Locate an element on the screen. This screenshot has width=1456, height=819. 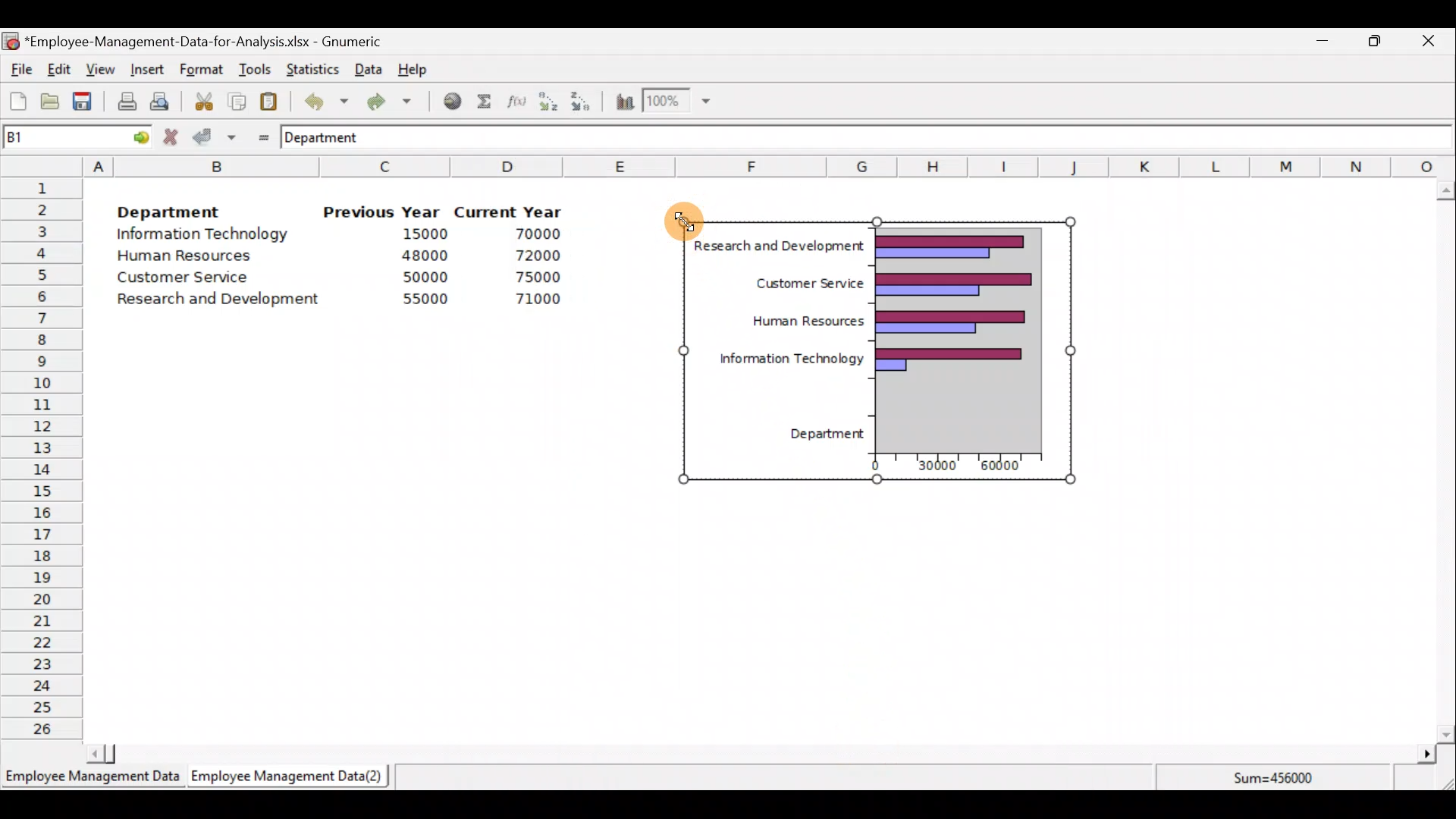
Enter formula is located at coordinates (259, 134).